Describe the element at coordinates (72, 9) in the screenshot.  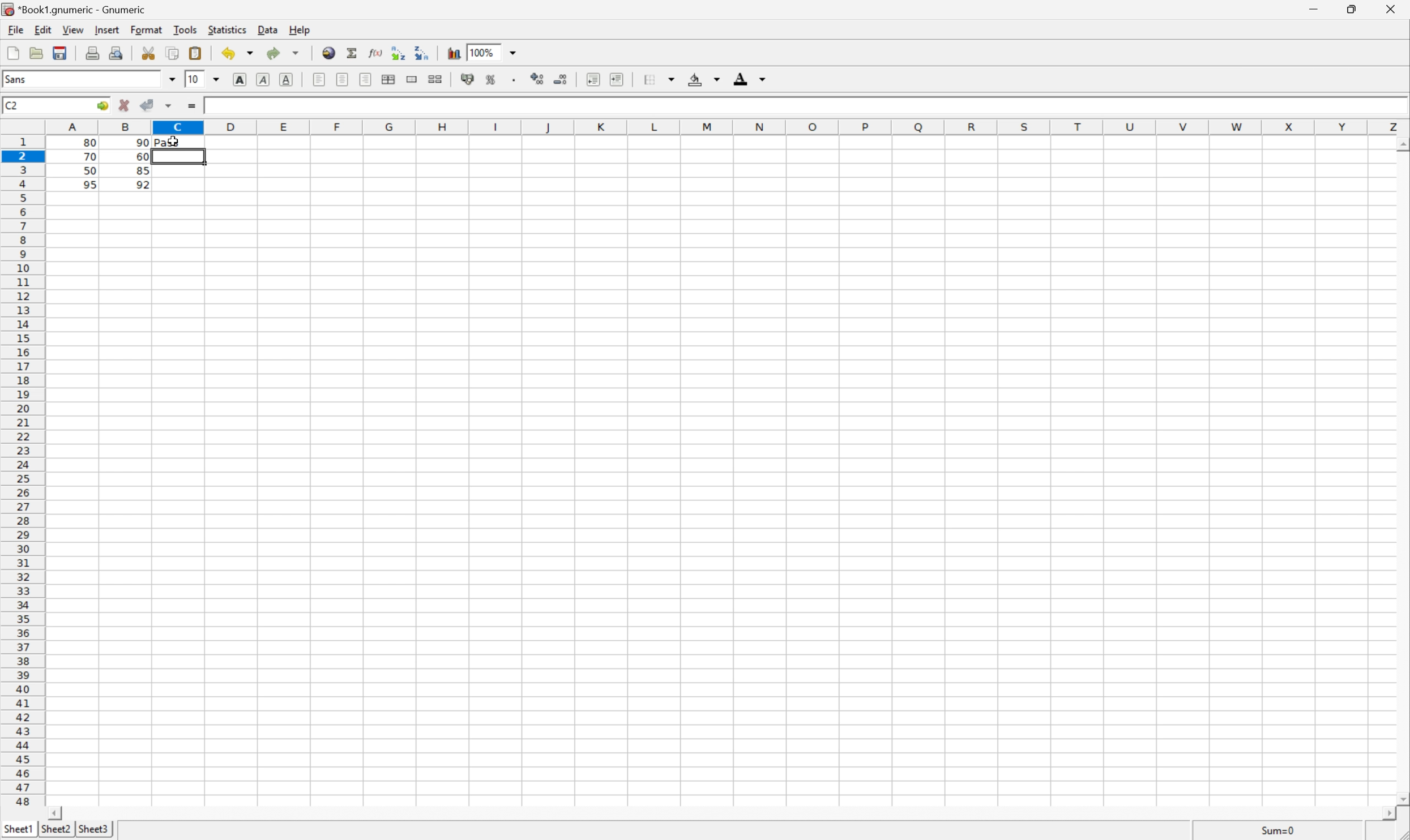
I see `*Book1.gnumeric - Gnumeric` at that location.